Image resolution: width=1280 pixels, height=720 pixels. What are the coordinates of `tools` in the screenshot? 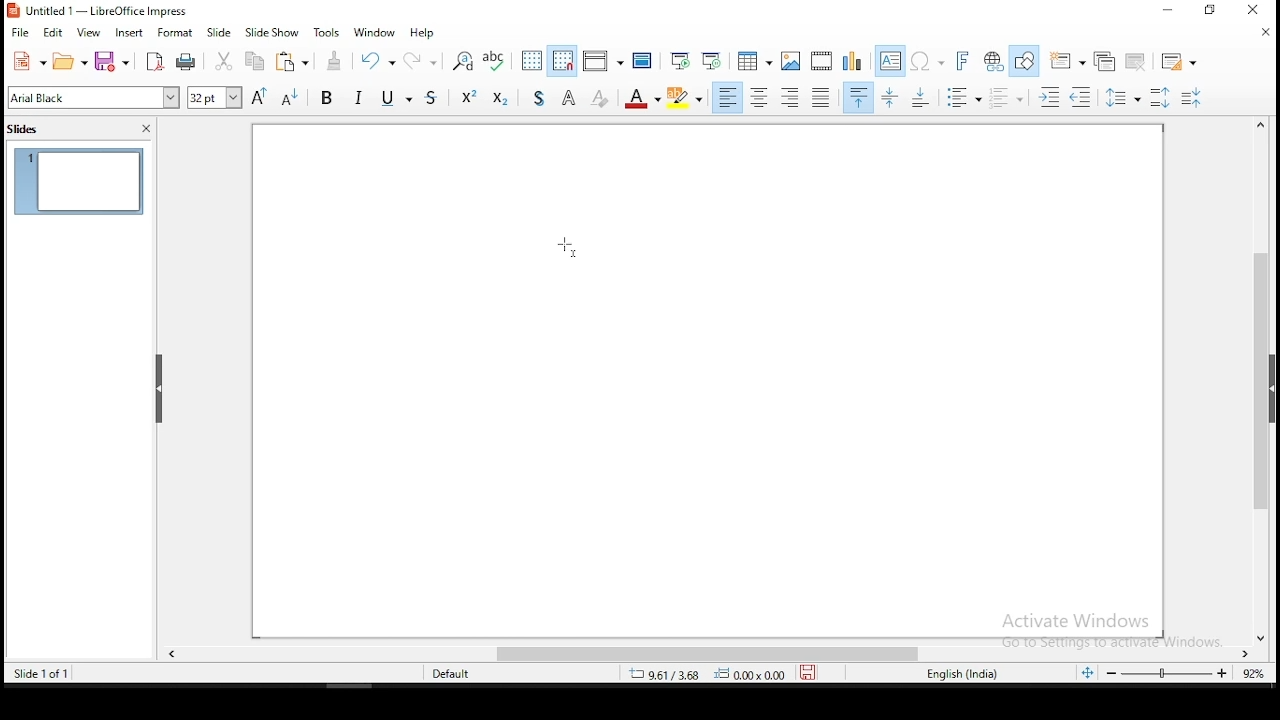 It's located at (328, 31).